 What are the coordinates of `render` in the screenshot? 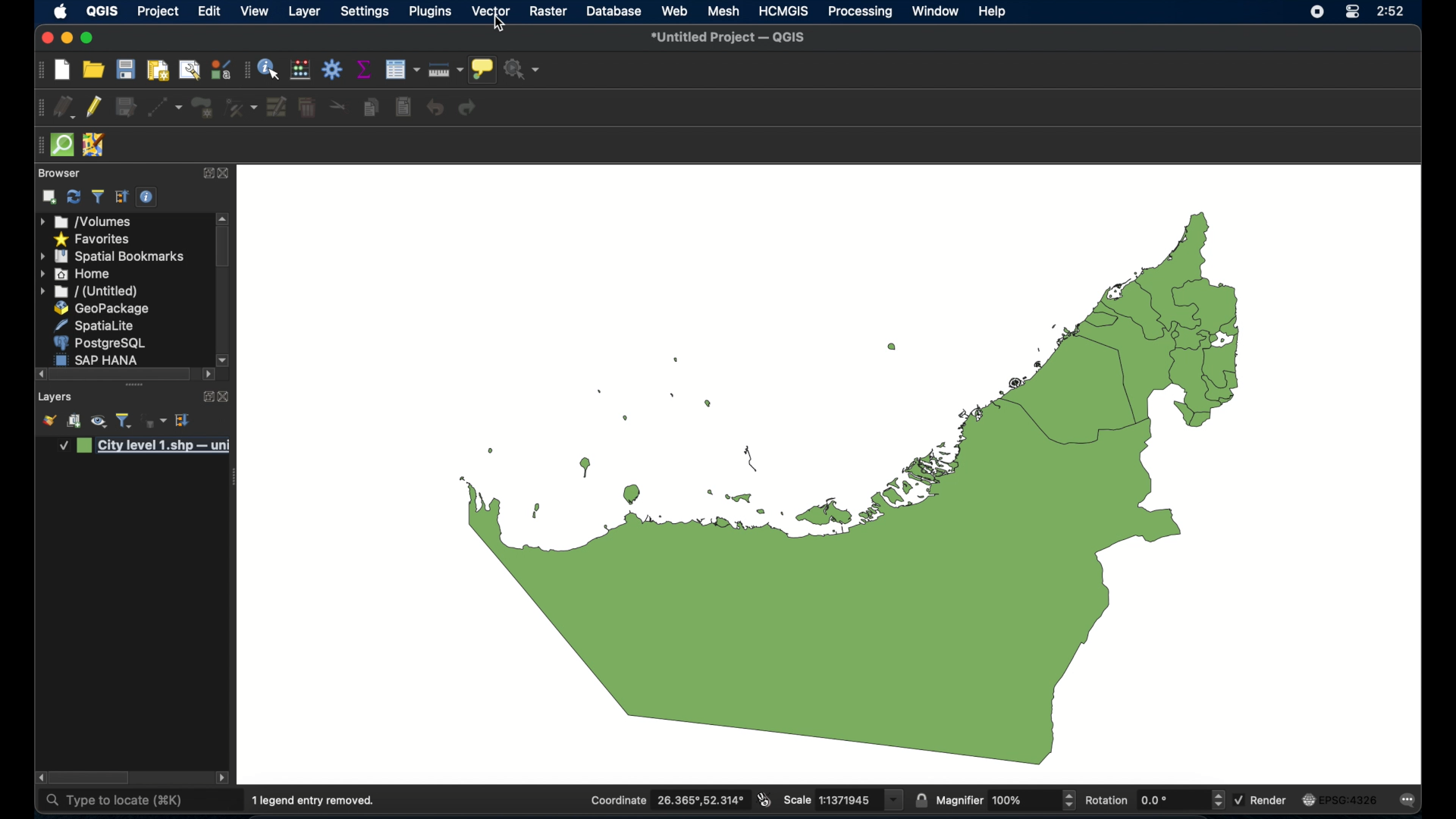 It's located at (1263, 800).